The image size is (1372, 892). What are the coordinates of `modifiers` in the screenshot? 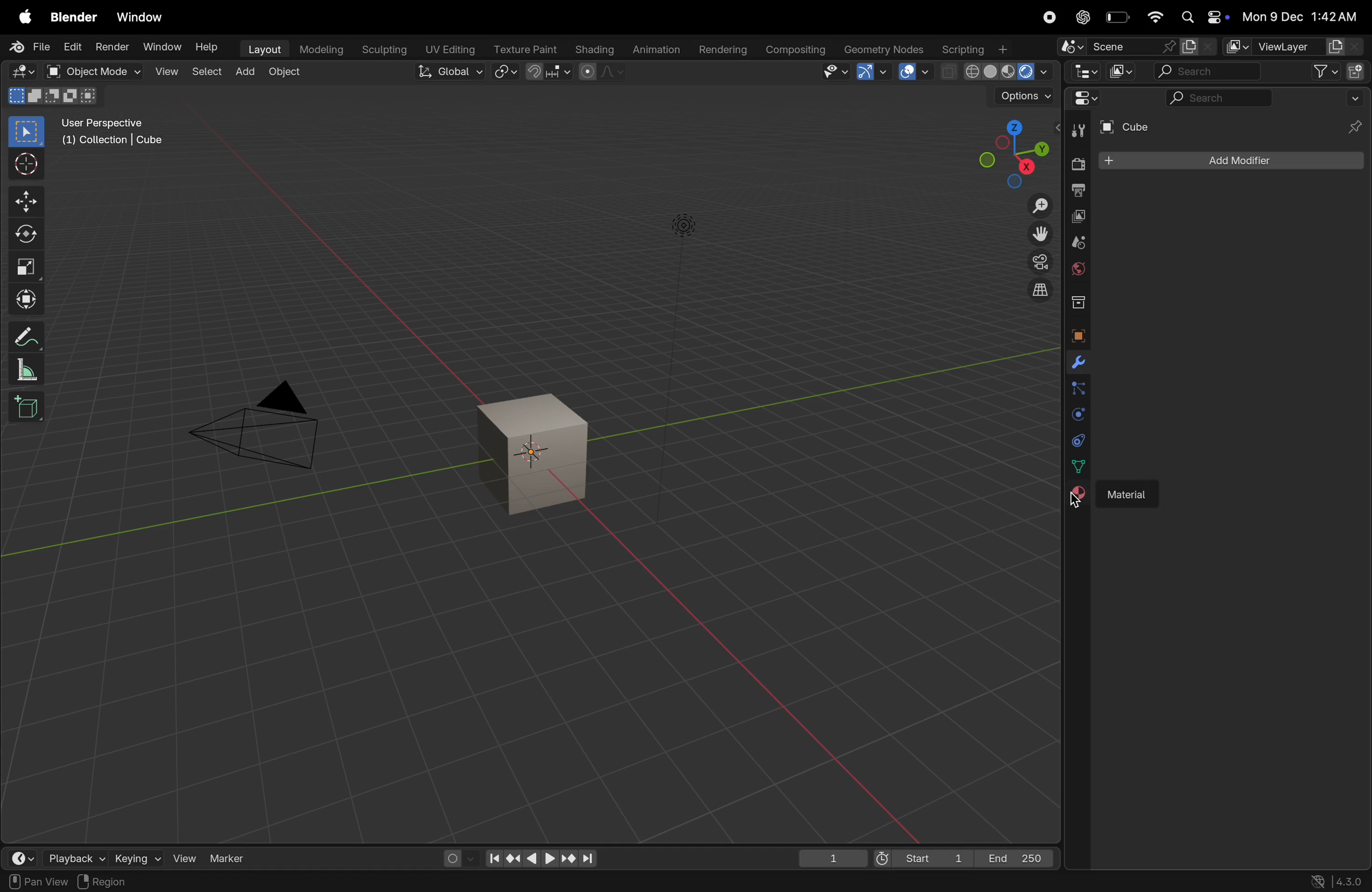 It's located at (1078, 363).